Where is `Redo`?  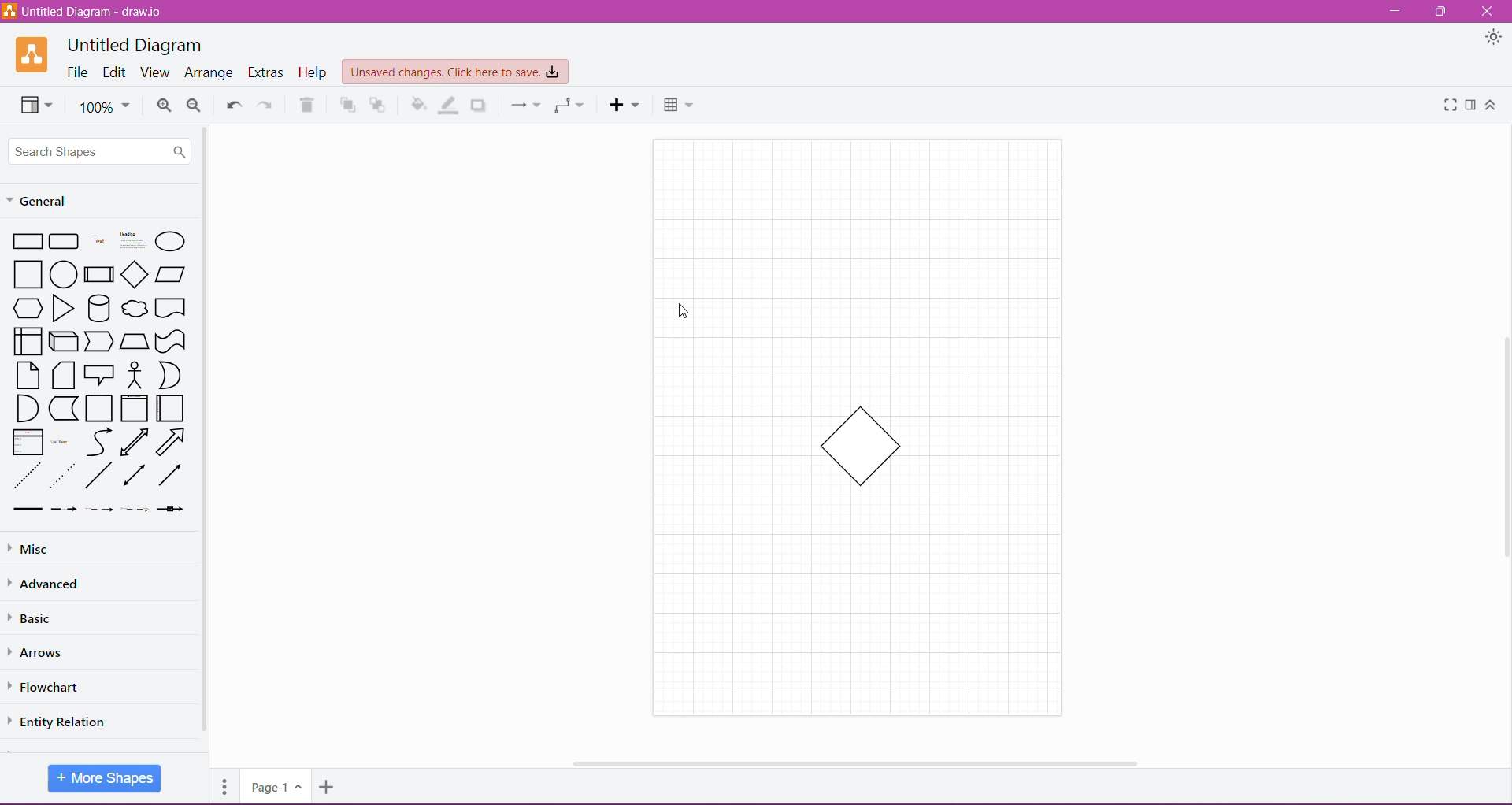 Redo is located at coordinates (269, 105).